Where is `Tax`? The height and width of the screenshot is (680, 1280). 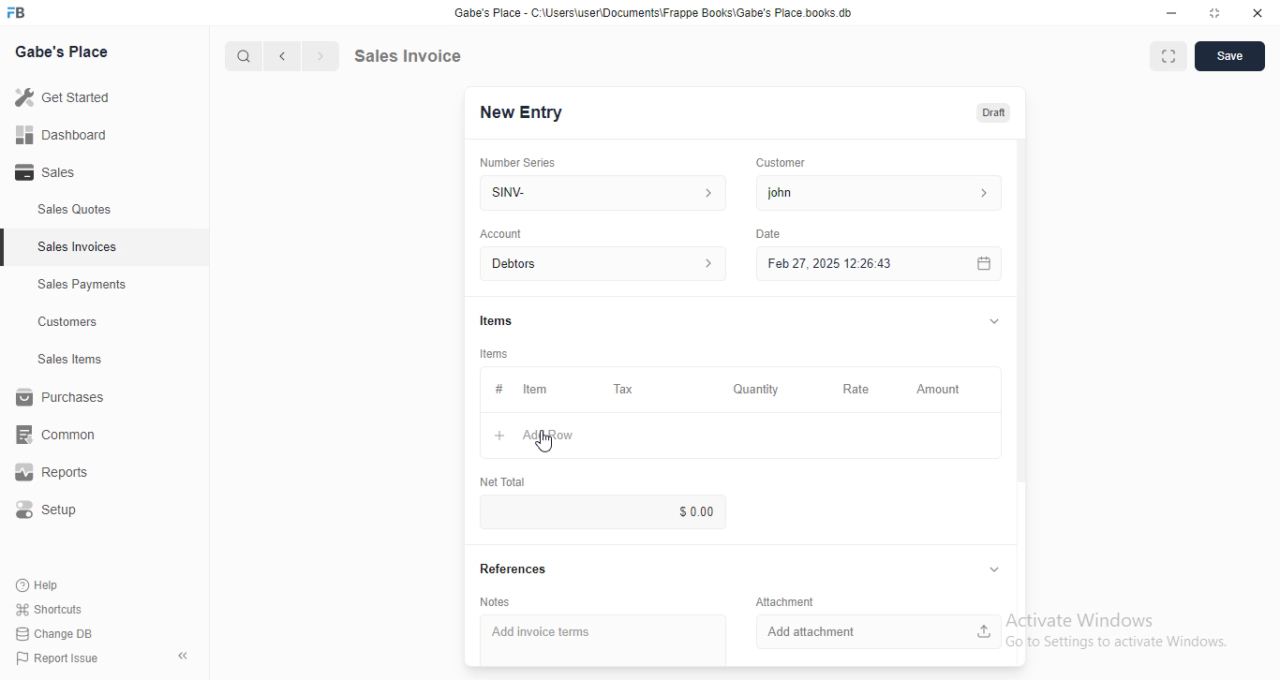 Tax is located at coordinates (628, 388).